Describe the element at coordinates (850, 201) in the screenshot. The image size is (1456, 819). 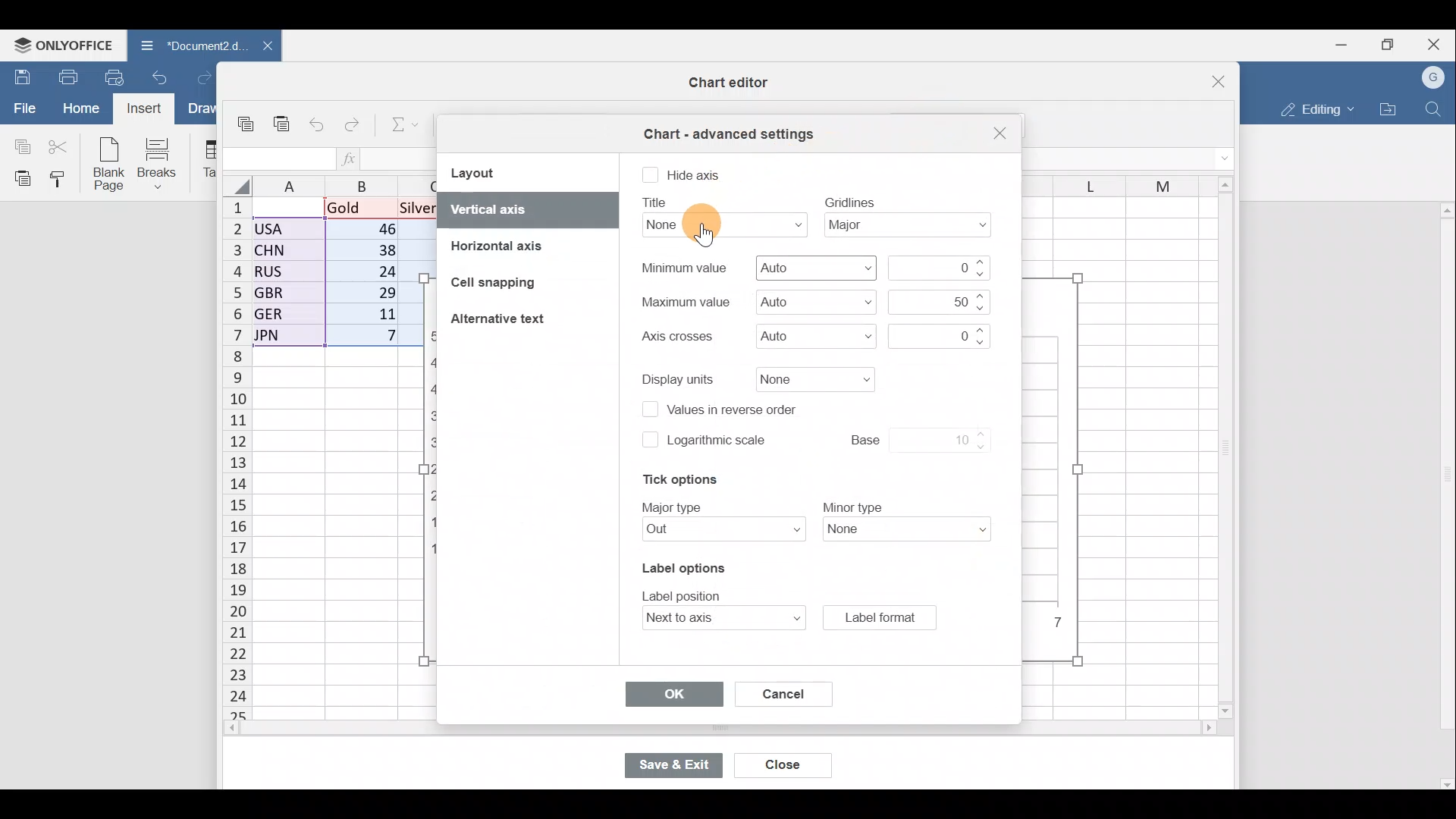
I see `text` at that location.